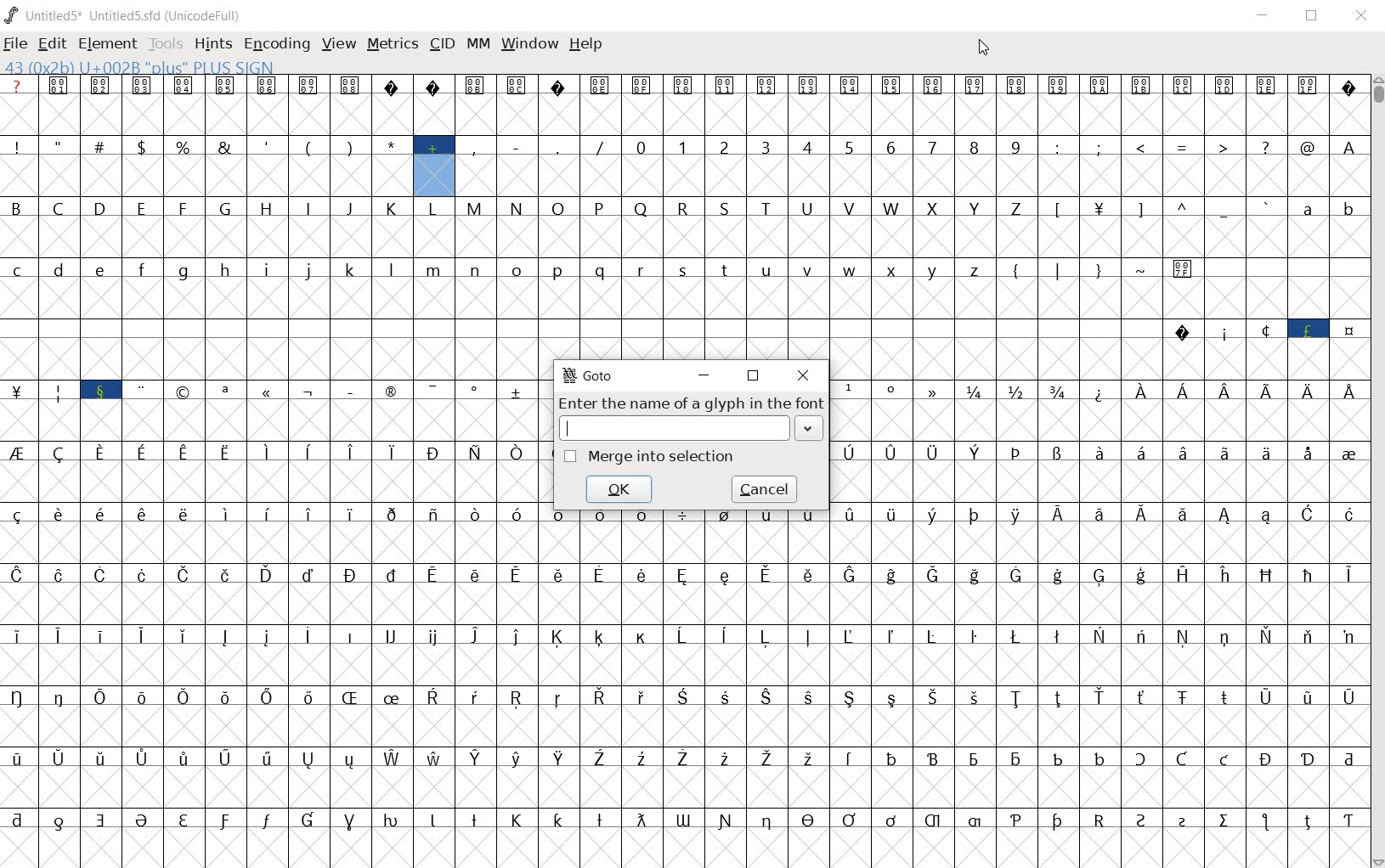 This screenshot has width=1385, height=868. What do you see at coordinates (952, 714) in the screenshot?
I see `glyph characters` at bounding box center [952, 714].